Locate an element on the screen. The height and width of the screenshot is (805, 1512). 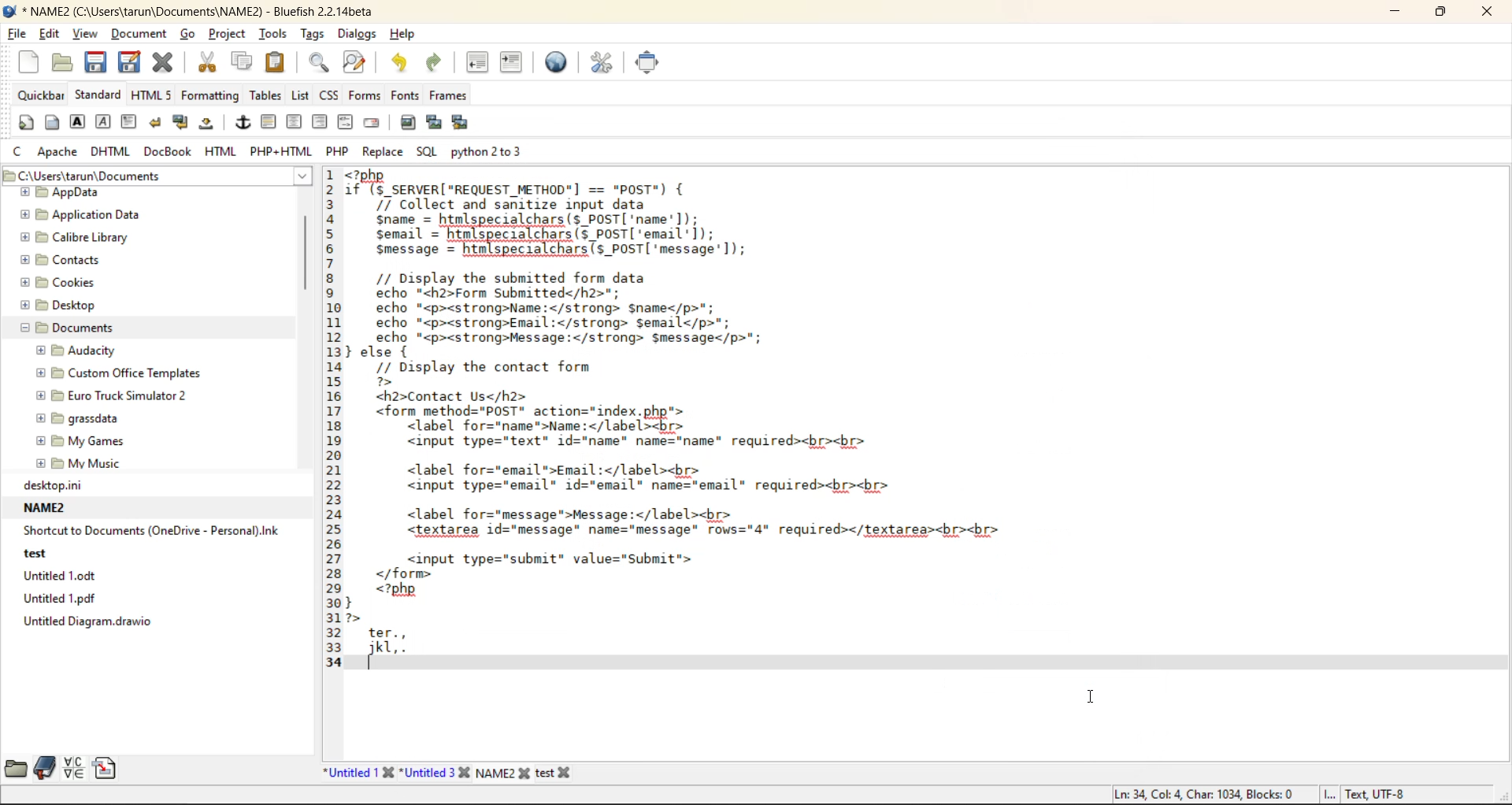
quickbar is located at coordinates (39, 98).